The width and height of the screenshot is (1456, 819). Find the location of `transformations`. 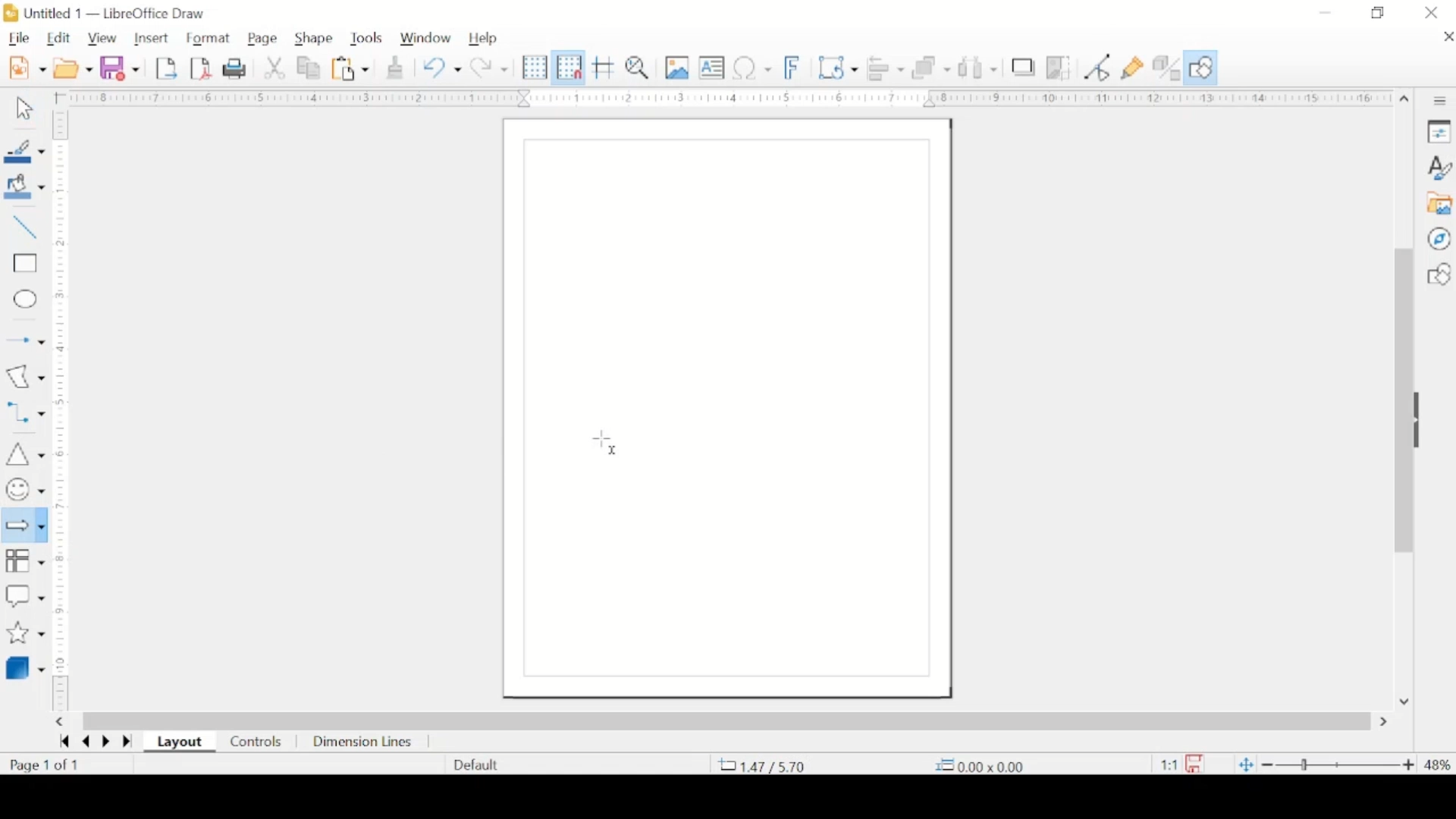

transformations is located at coordinates (837, 67).